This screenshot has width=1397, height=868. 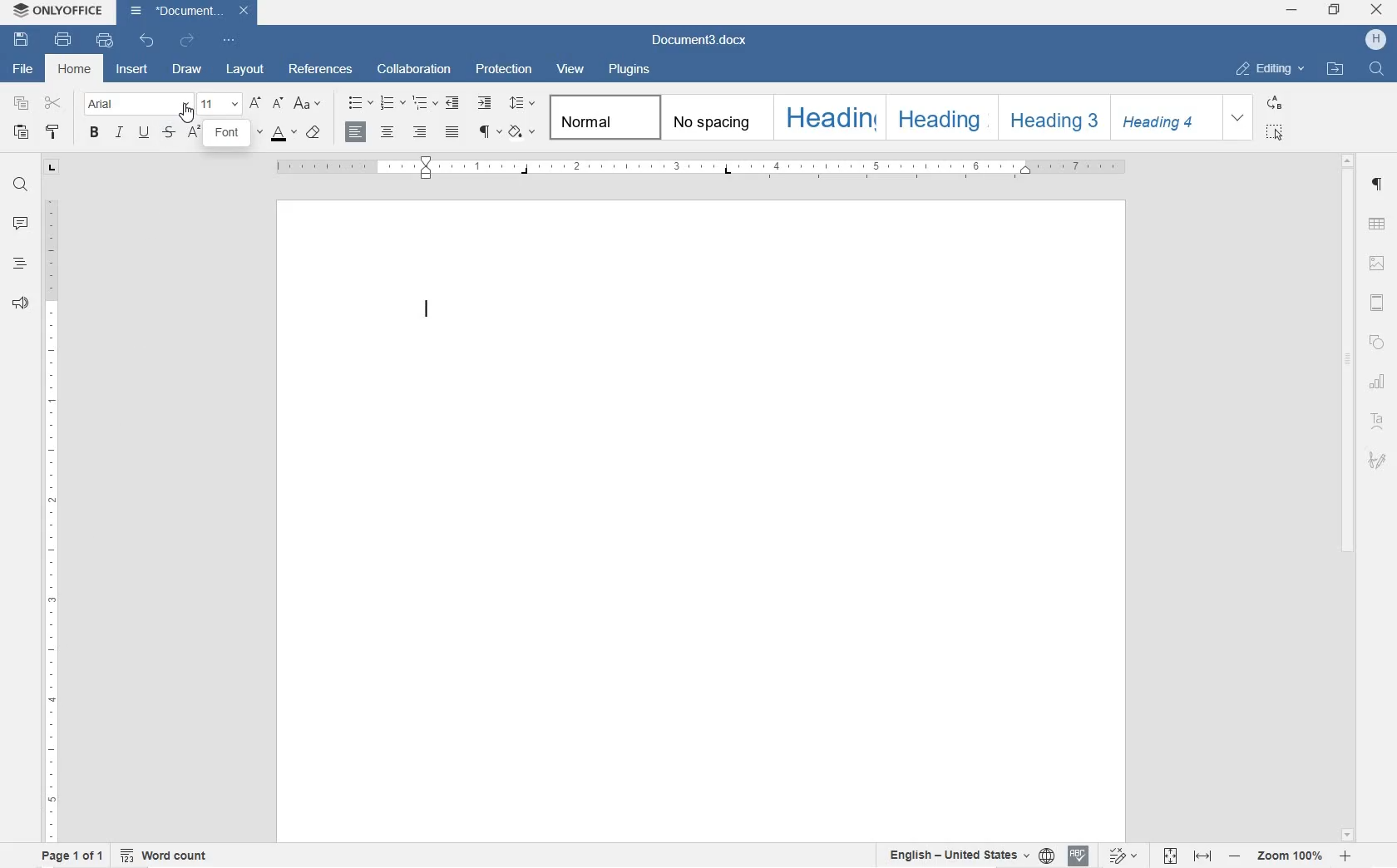 What do you see at coordinates (711, 41) in the screenshot?
I see `Document3.docx` at bounding box center [711, 41].